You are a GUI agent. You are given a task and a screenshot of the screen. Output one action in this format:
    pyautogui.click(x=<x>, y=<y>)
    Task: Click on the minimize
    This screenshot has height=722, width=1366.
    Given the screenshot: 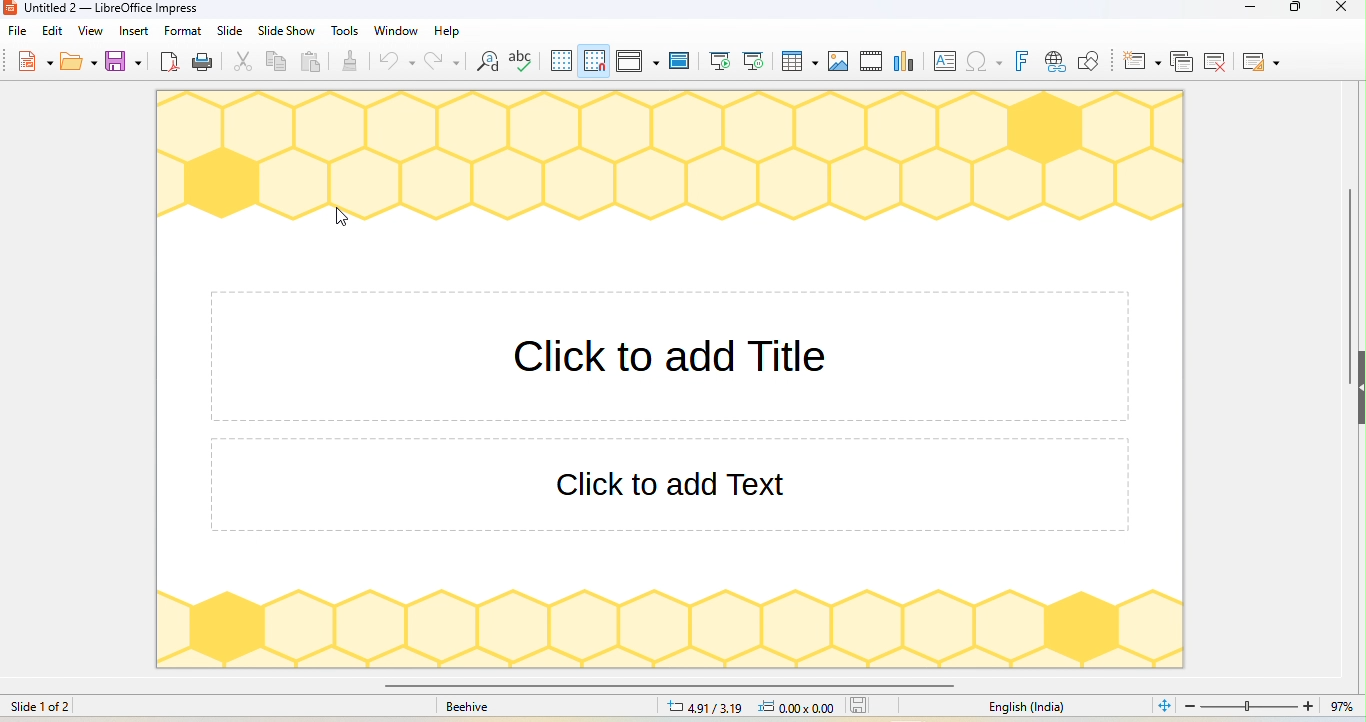 What is the action you would take?
    pyautogui.click(x=1245, y=10)
    